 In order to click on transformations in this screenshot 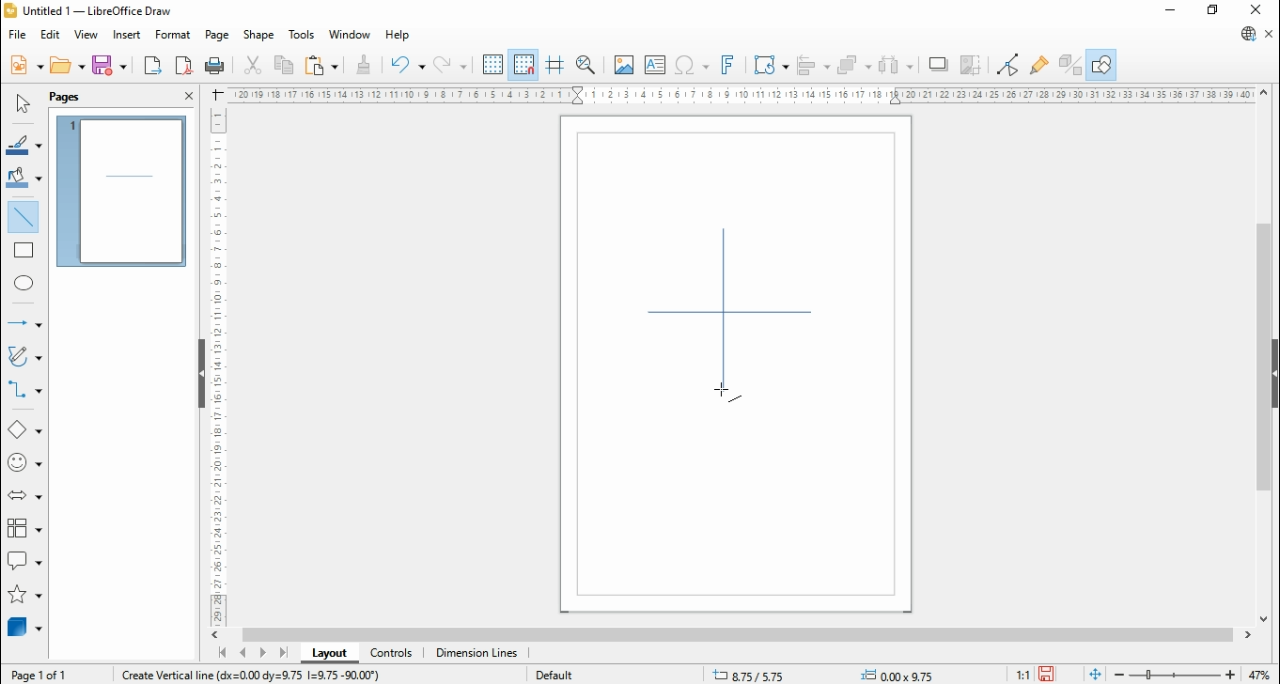, I will do `click(770, 64)`.